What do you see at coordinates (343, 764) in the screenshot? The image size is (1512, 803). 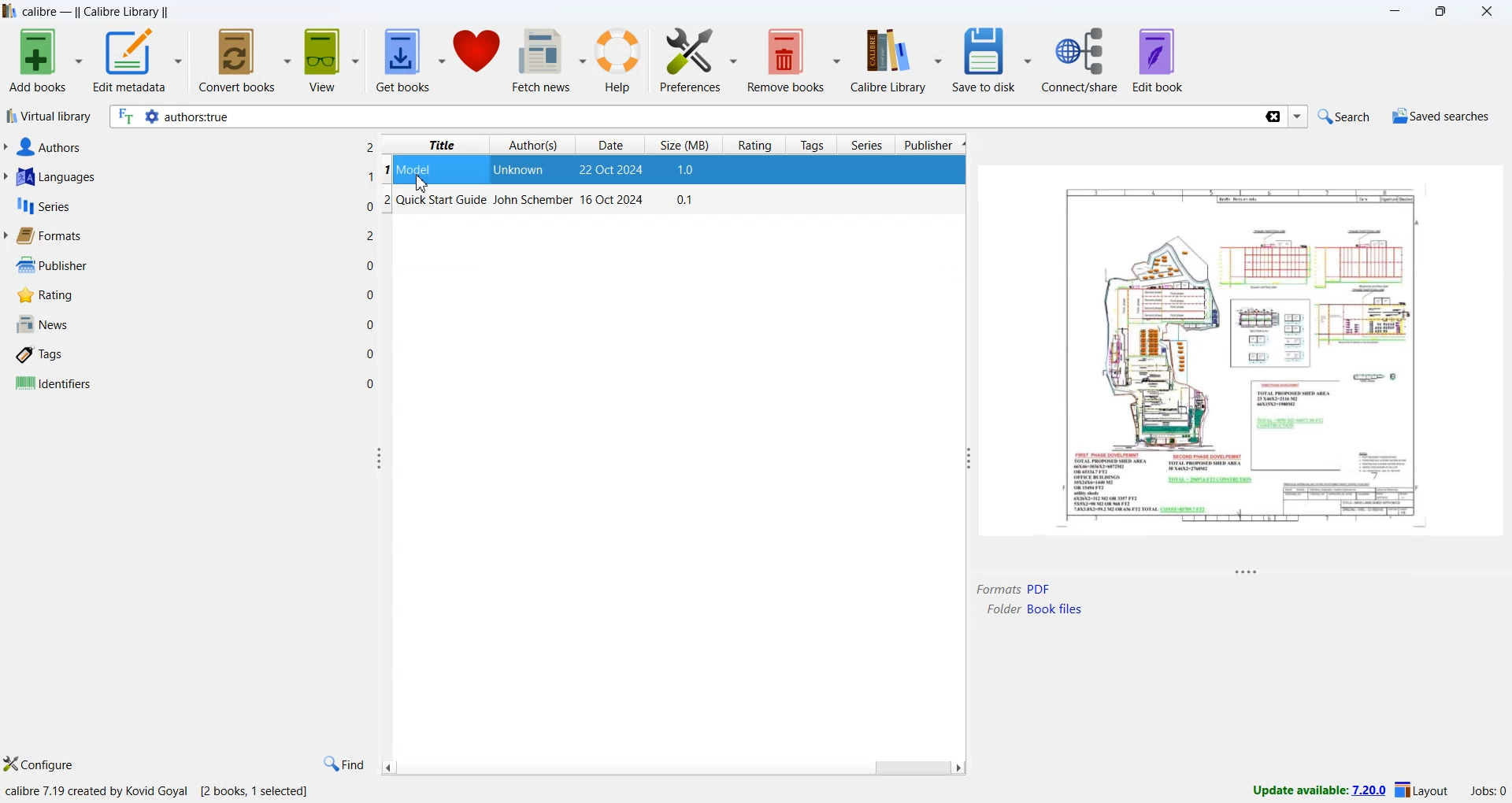 I see `find` at bounding box center [343, 764].